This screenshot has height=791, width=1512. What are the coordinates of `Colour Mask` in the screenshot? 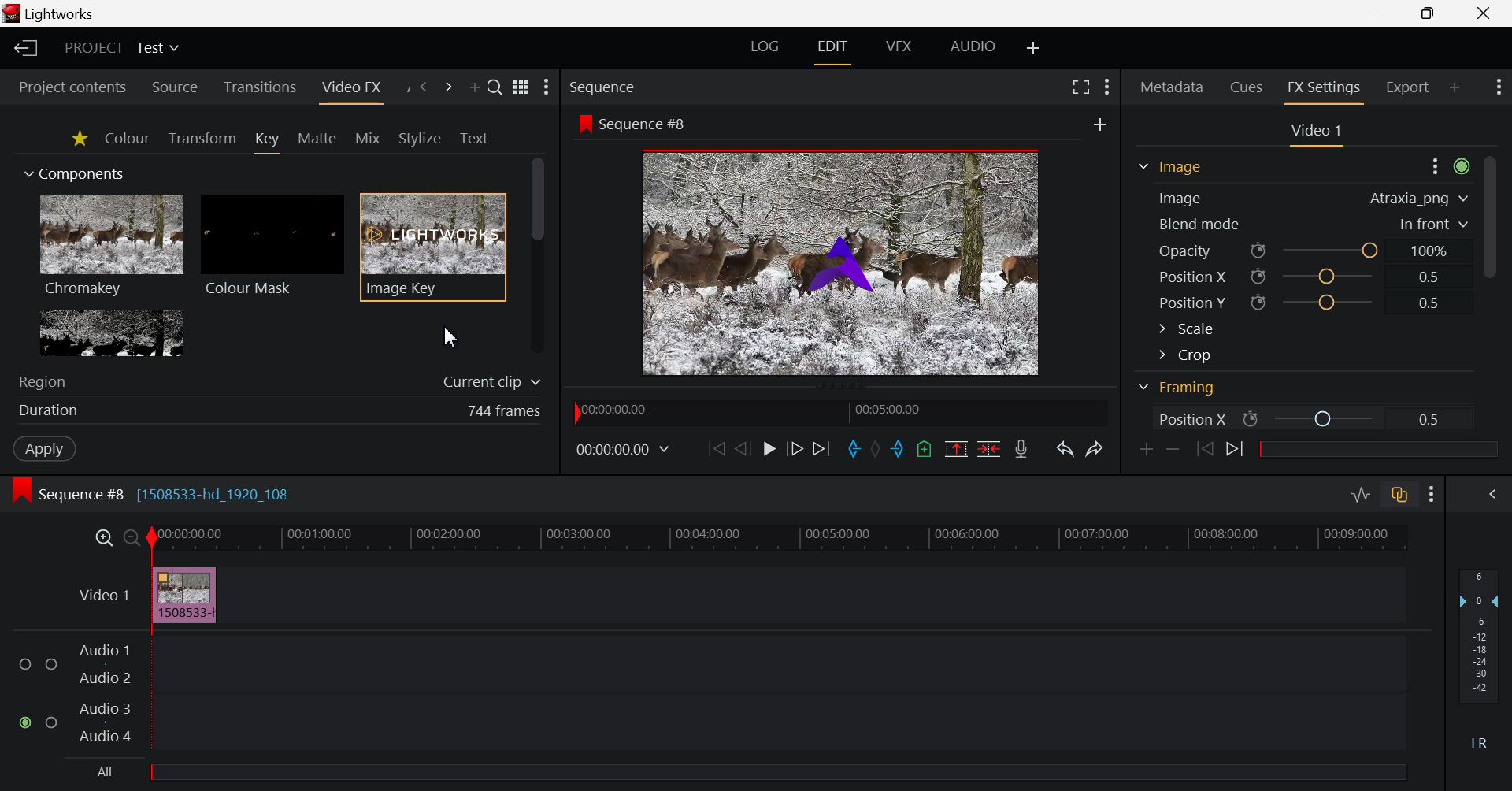 It's located at (272, 247).